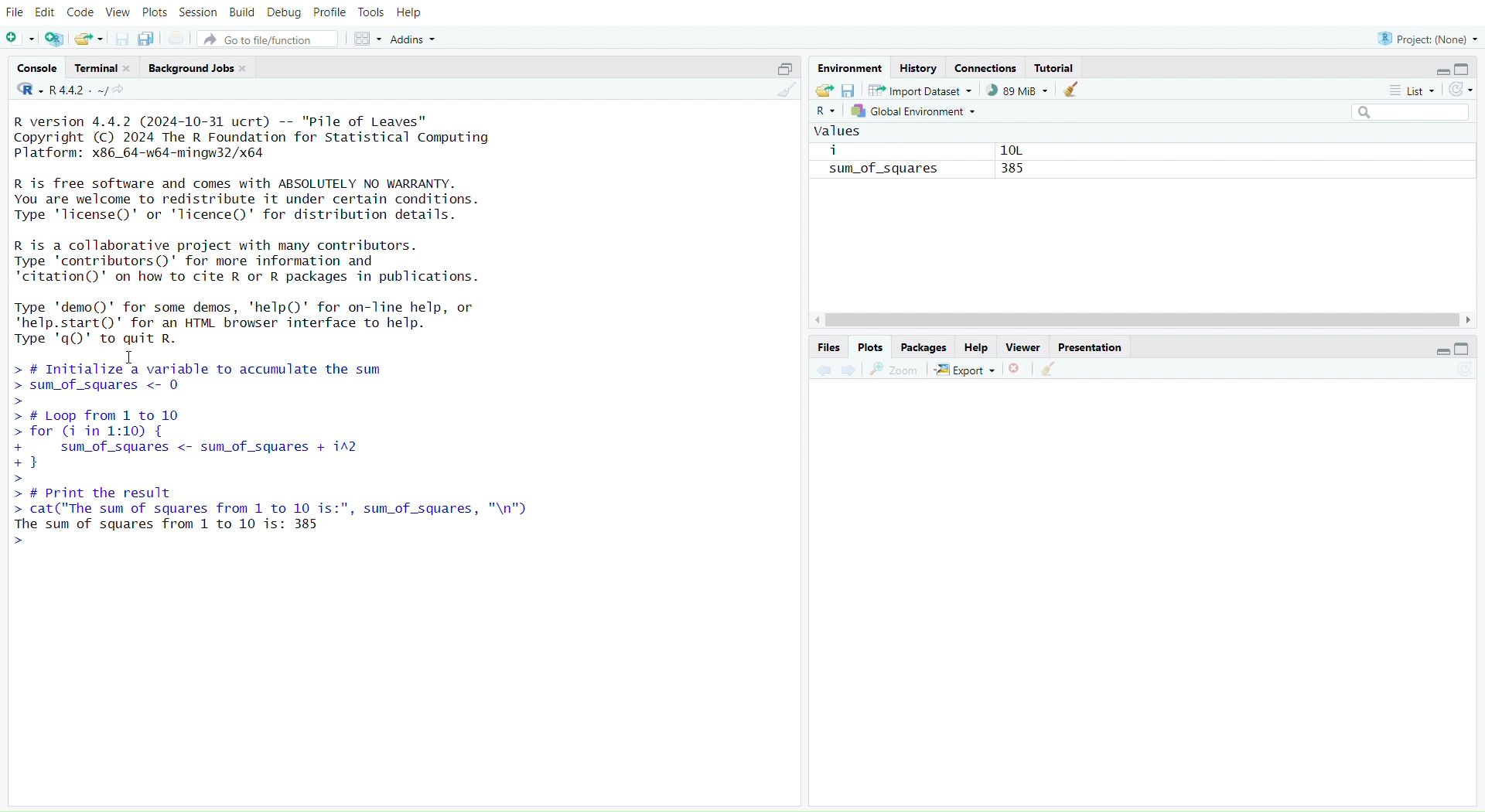 Image resolution: width=1485 pixels, height=812 pixels. I want to click on export, so click(967, 370).